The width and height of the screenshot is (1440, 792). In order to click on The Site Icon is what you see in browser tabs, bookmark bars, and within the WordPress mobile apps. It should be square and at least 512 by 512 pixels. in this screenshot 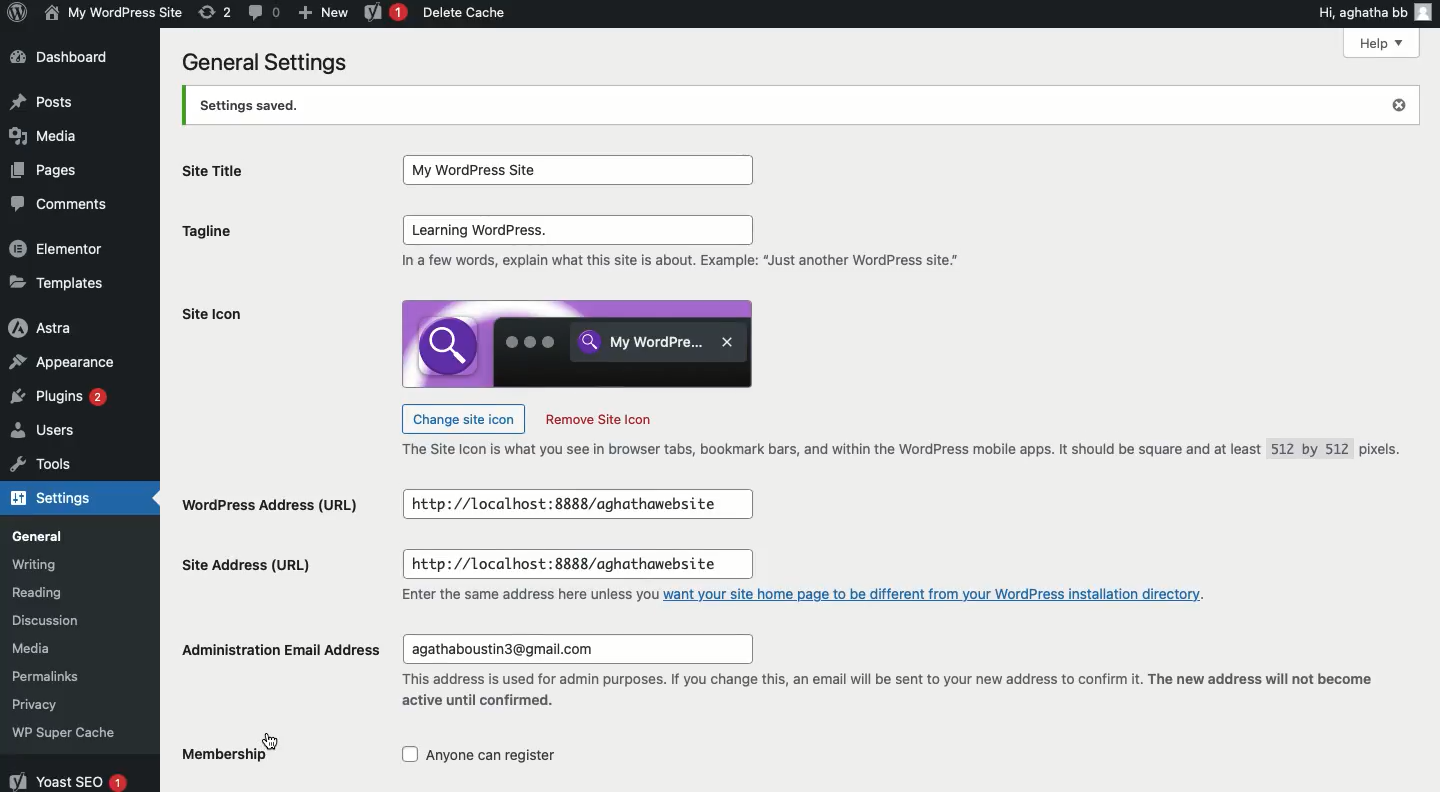, I will do `click(902, 450)`.